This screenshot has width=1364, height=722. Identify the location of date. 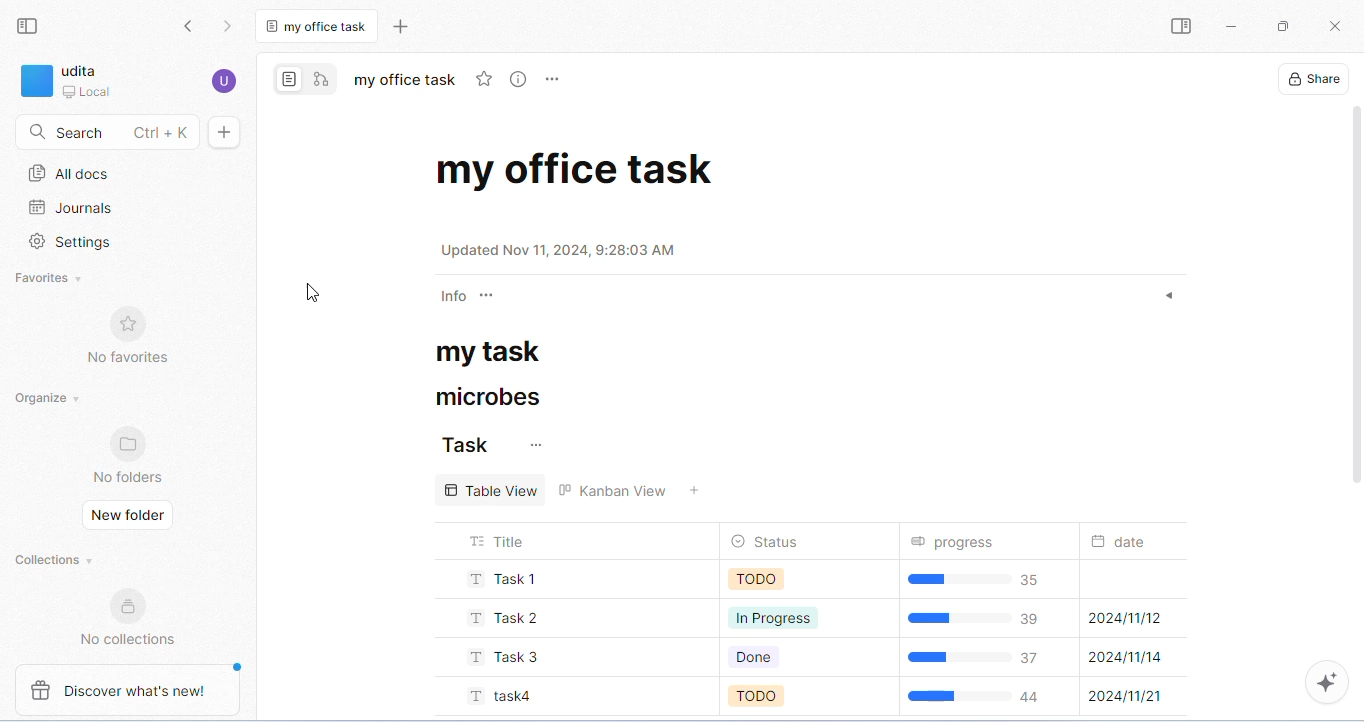
(1134, 542).